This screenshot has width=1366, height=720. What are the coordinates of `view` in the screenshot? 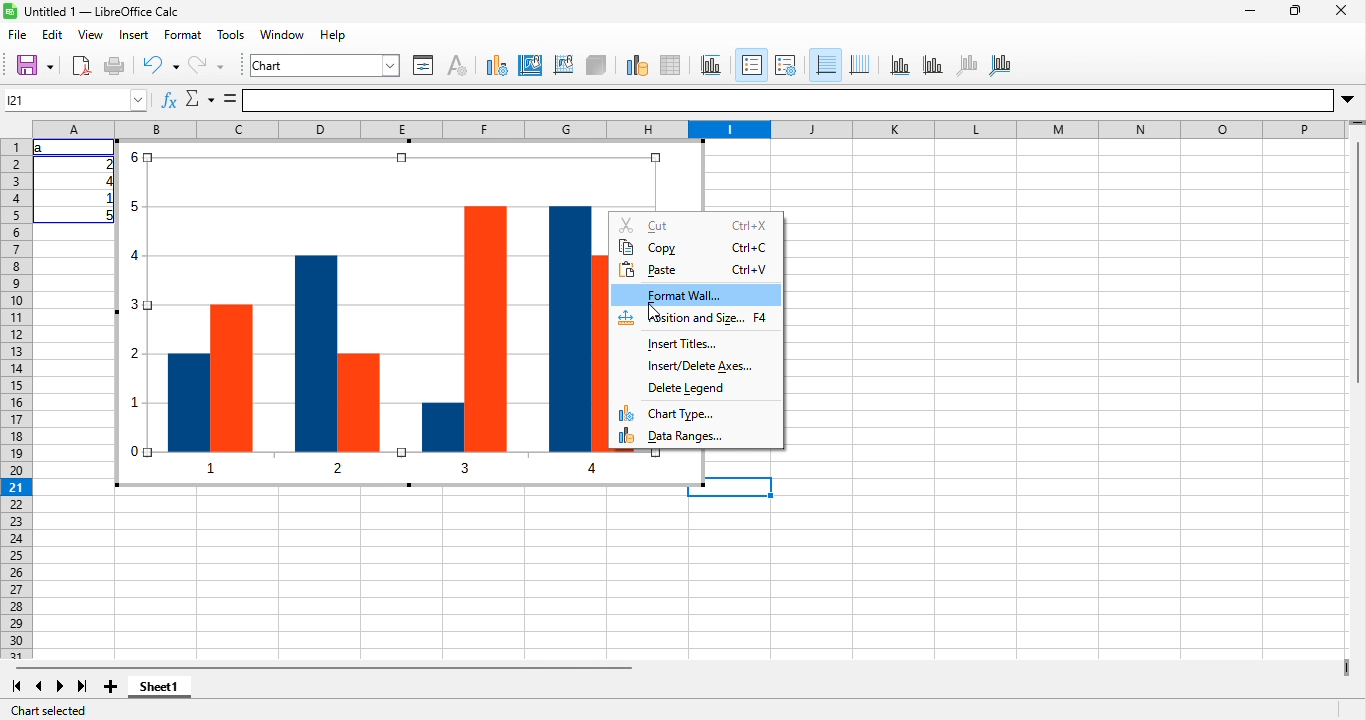 It's located at (91, 34).